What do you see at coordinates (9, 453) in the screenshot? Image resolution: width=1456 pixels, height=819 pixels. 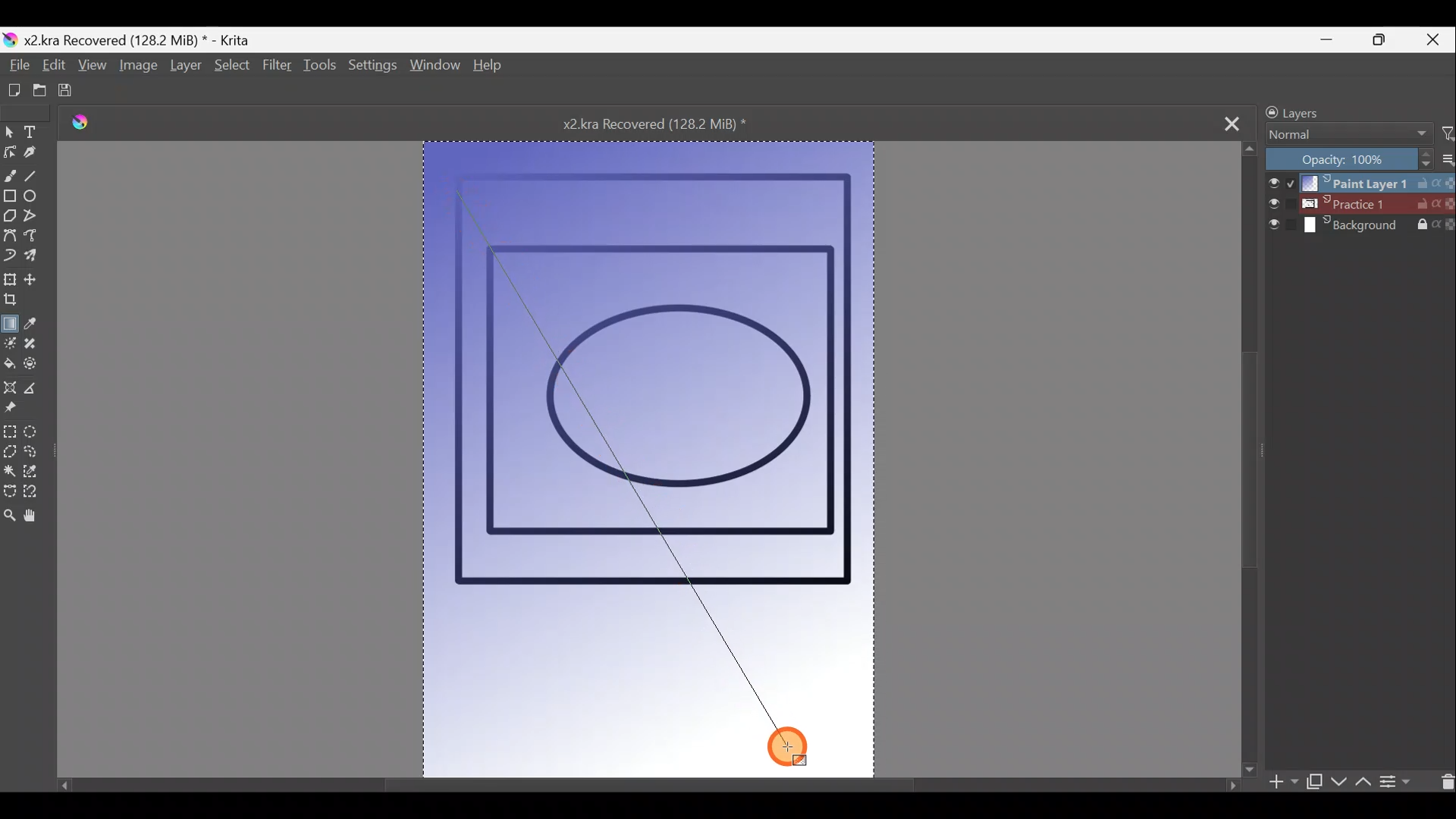 I see `Polgonal selection tool` at bounding box center [9, 453].